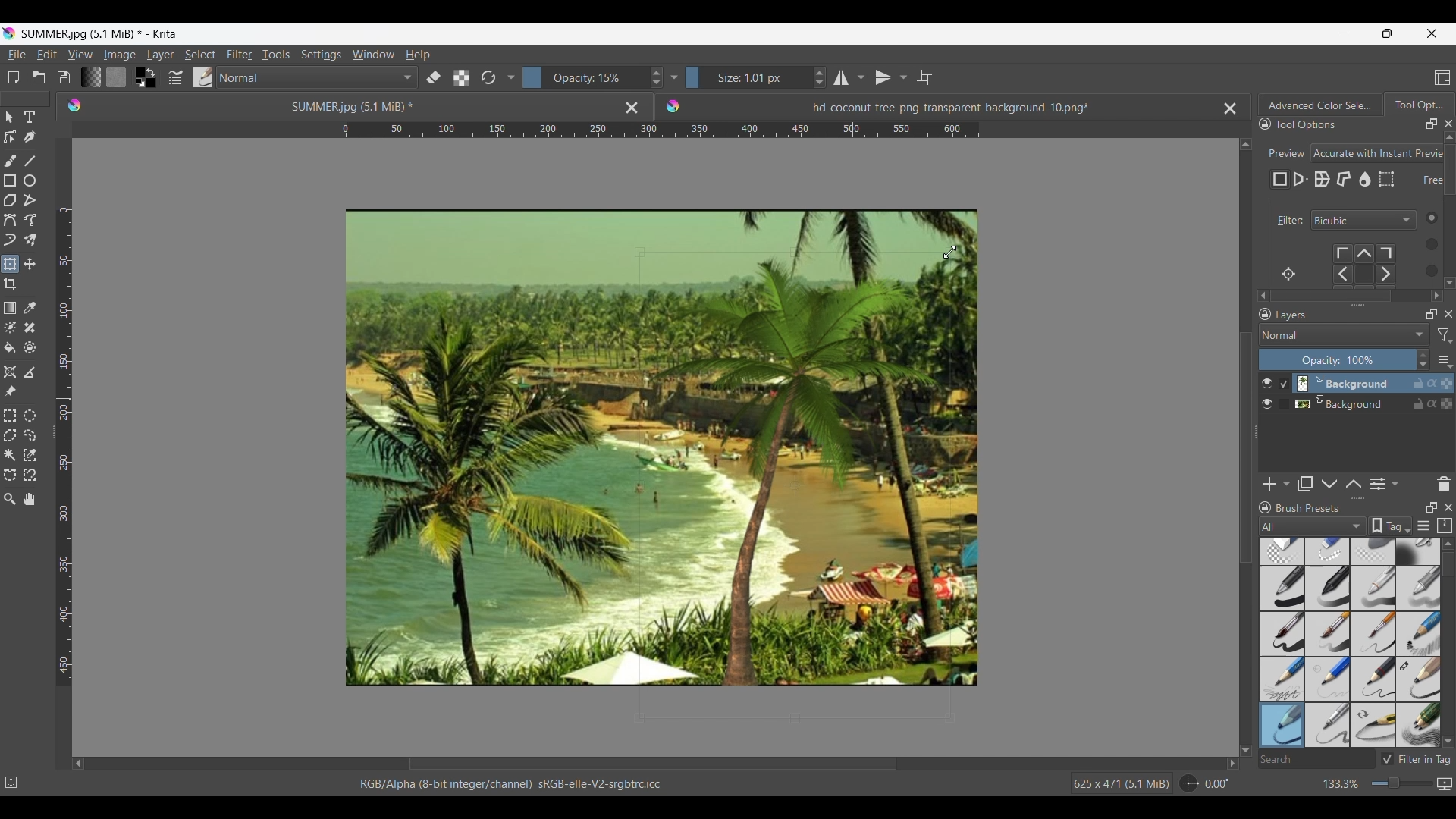 The image size is (1456, 819). I want to click on Crop tool, so click(10, 284).